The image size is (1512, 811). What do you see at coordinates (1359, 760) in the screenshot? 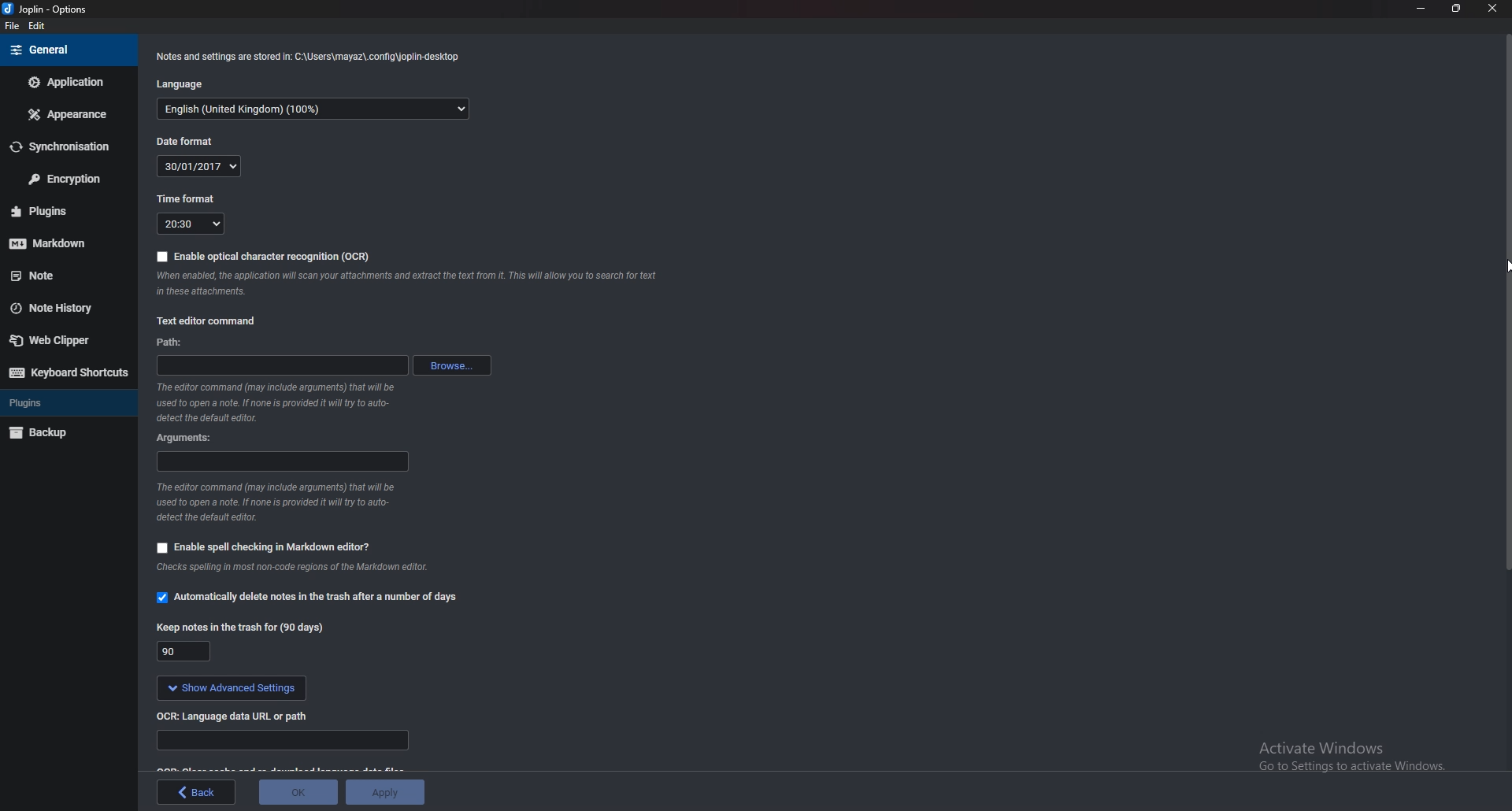
I see `activate windows` at bounding box center [1359, 760].